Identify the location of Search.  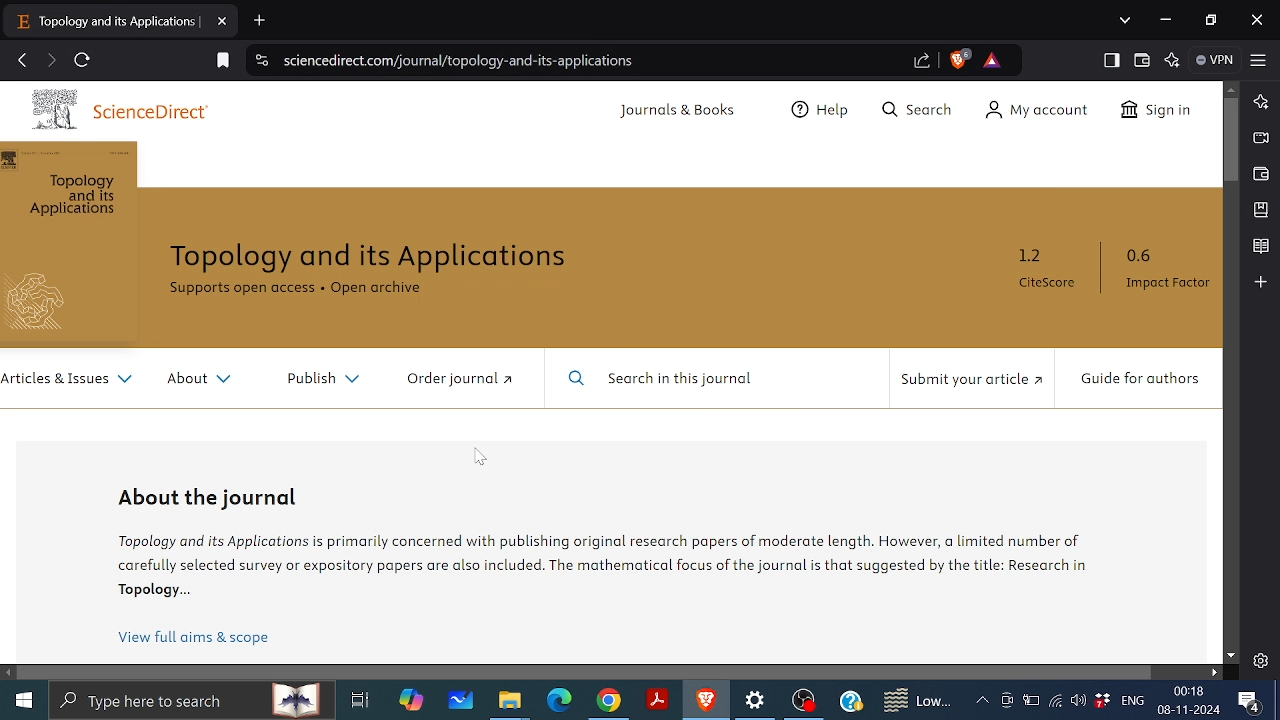
(917, 109).